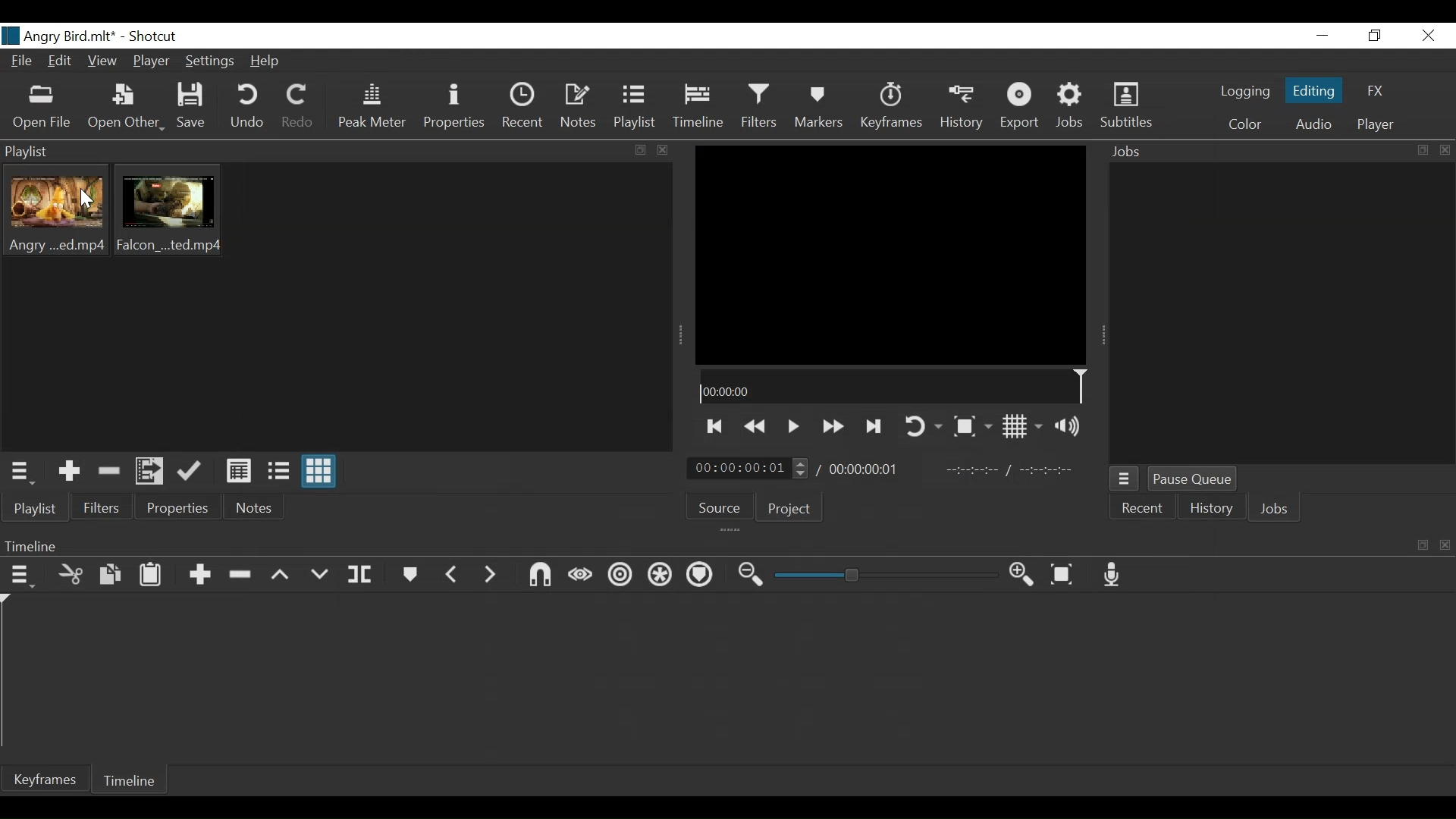 The image size is (1456, 819). Describe the element at coordinates (720, 507) in the screenshot. I see `Source` at that location.